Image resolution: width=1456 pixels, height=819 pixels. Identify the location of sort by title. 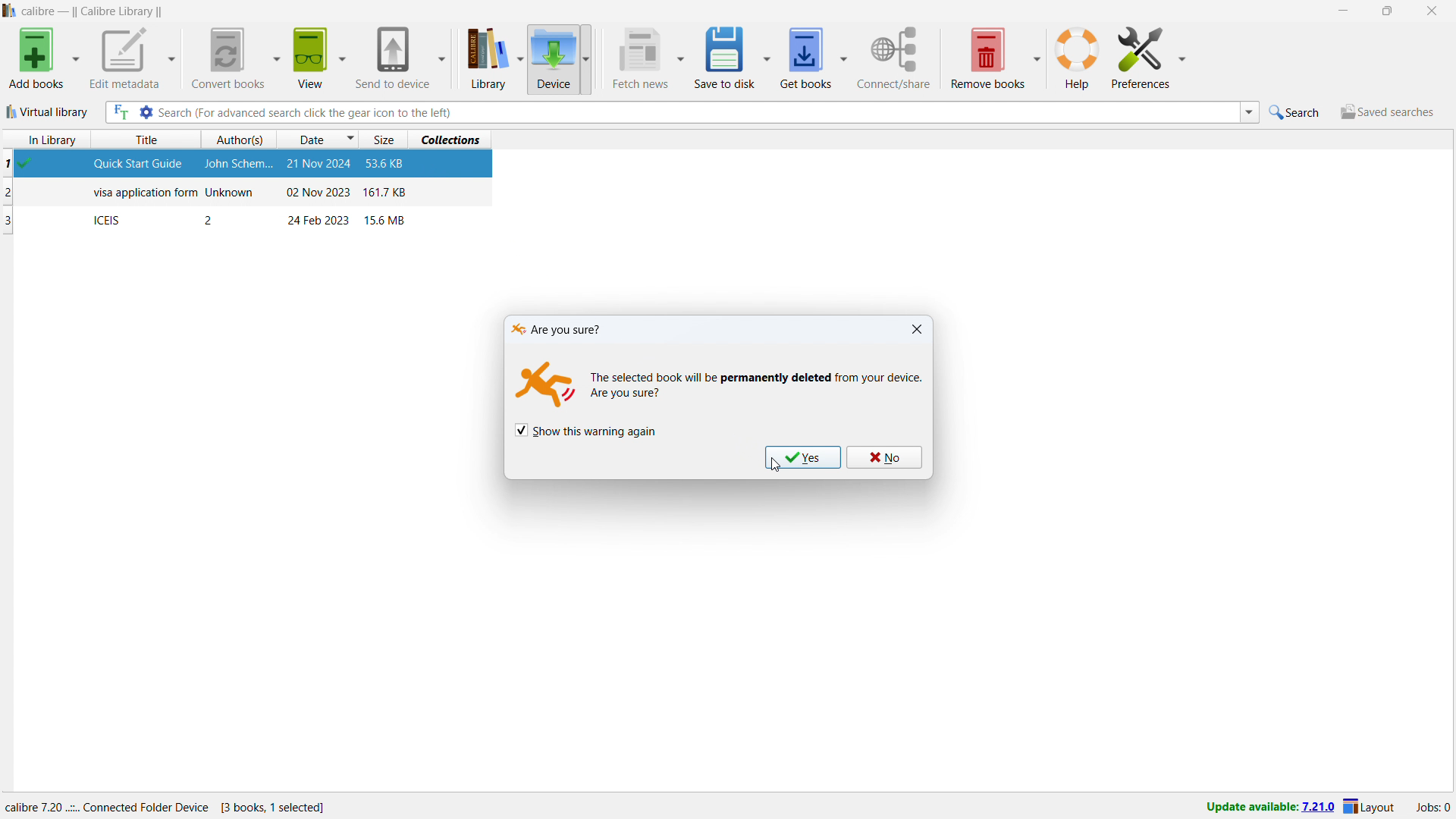
(152, 140).